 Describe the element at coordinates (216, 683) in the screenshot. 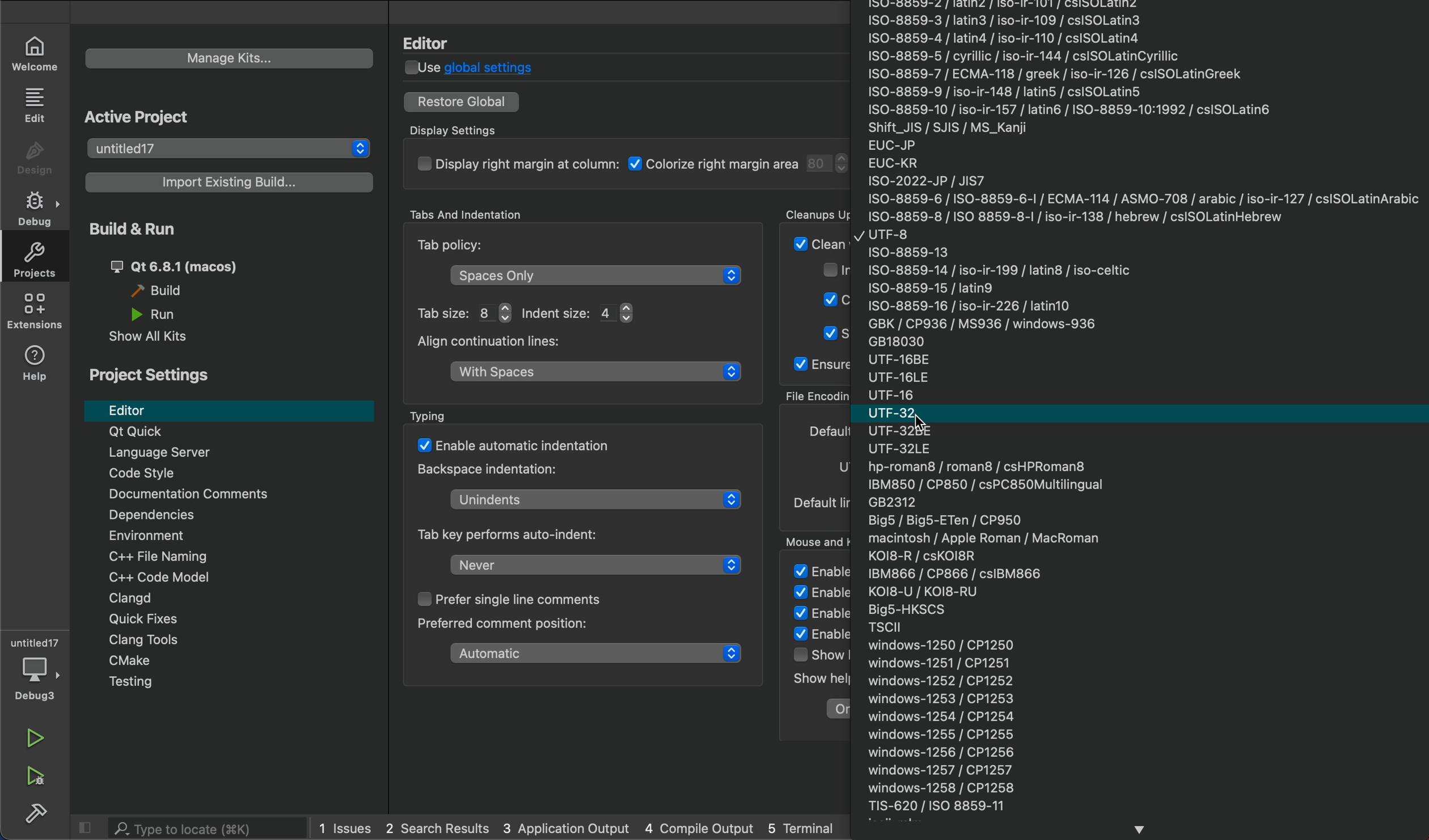

I see `` at that location.